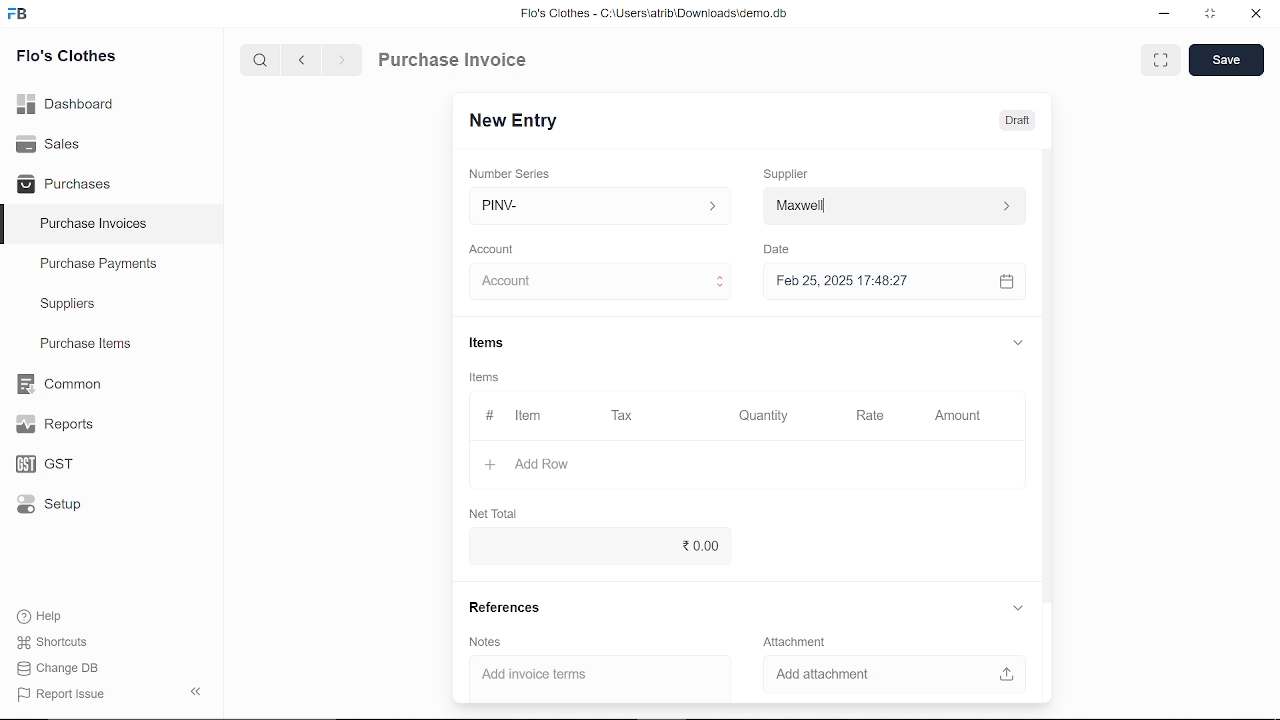 This screenshot has width=1280, height=720. What do you see at coordinates (192, 693) in the screenshot?
I see `hide` at bounding box center [192, 693].